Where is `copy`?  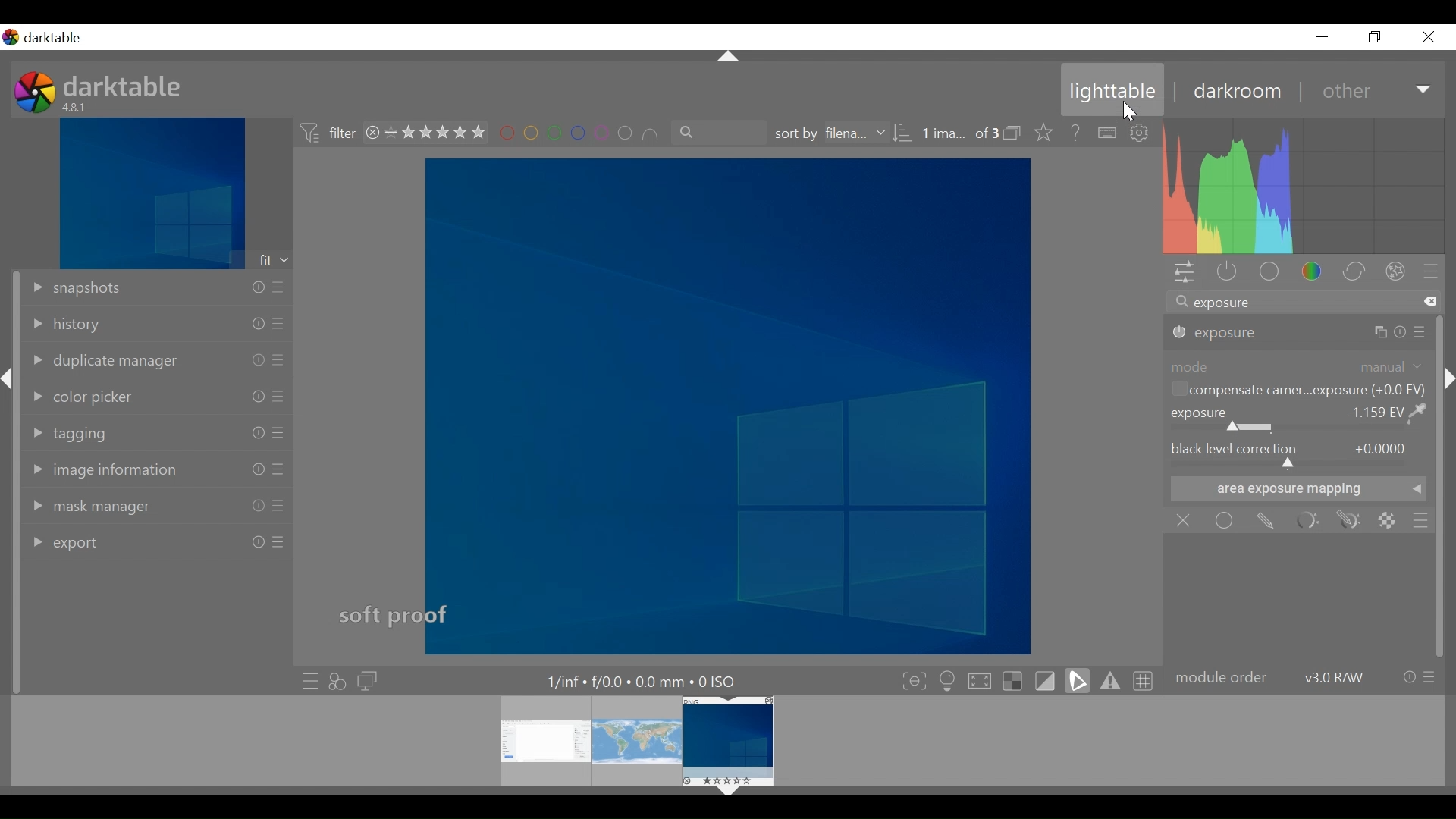
copy is located at coordinates (1382, 333).